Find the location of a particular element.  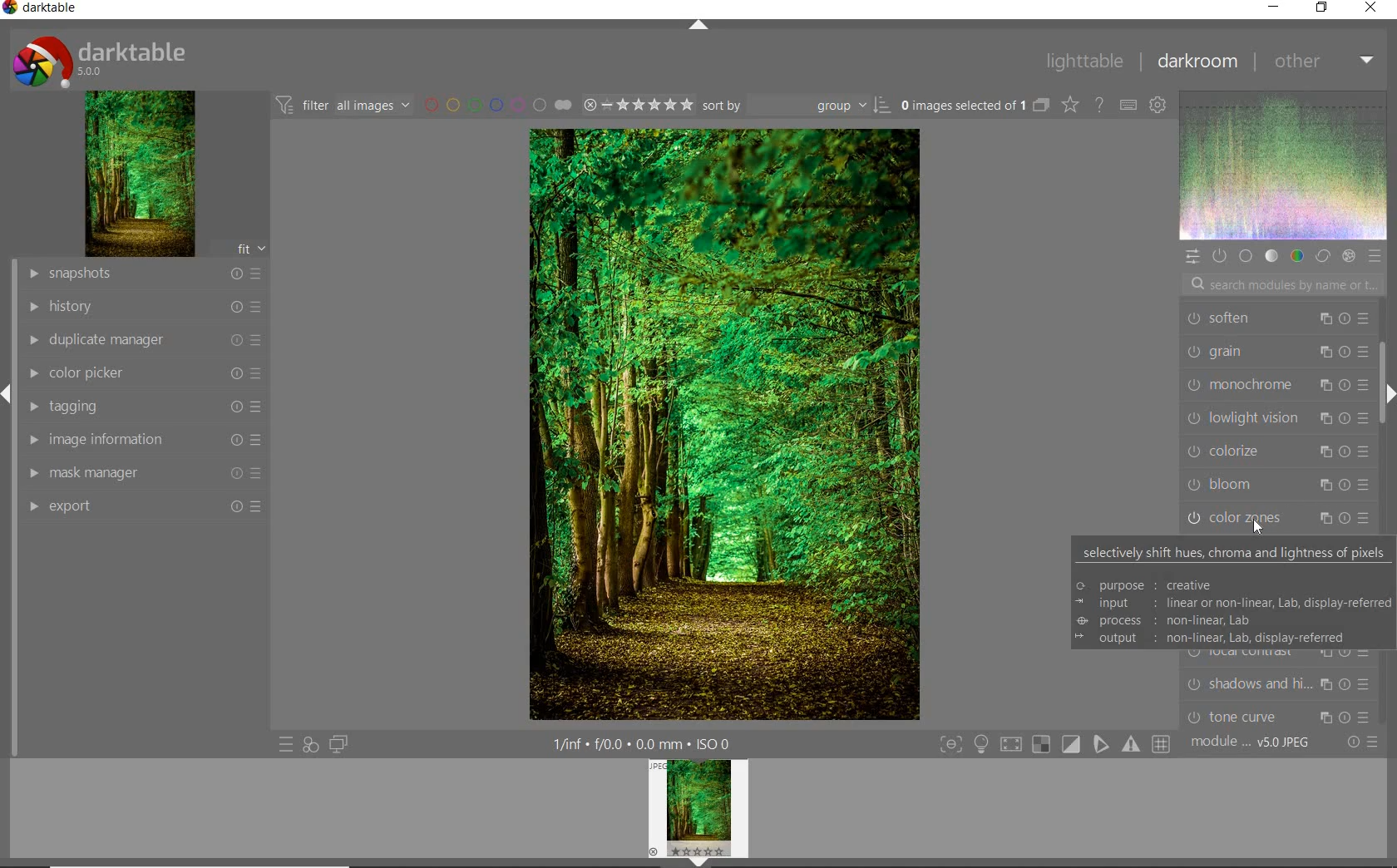

QUICK ACCESS TO PRESETS is located at coordinates (285, 743).